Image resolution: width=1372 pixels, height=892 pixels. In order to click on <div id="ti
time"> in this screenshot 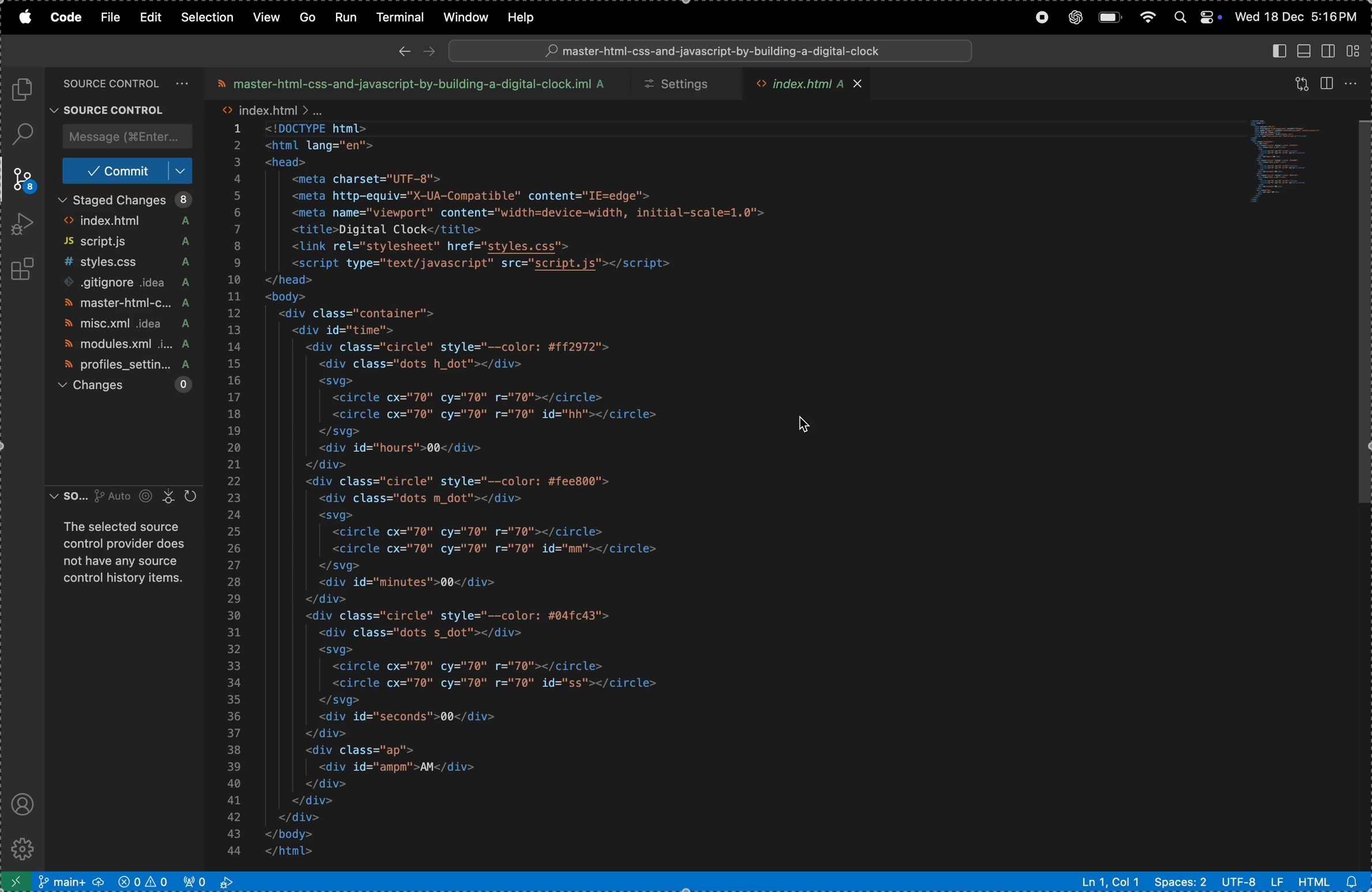, I will do `click(353, 330)`.